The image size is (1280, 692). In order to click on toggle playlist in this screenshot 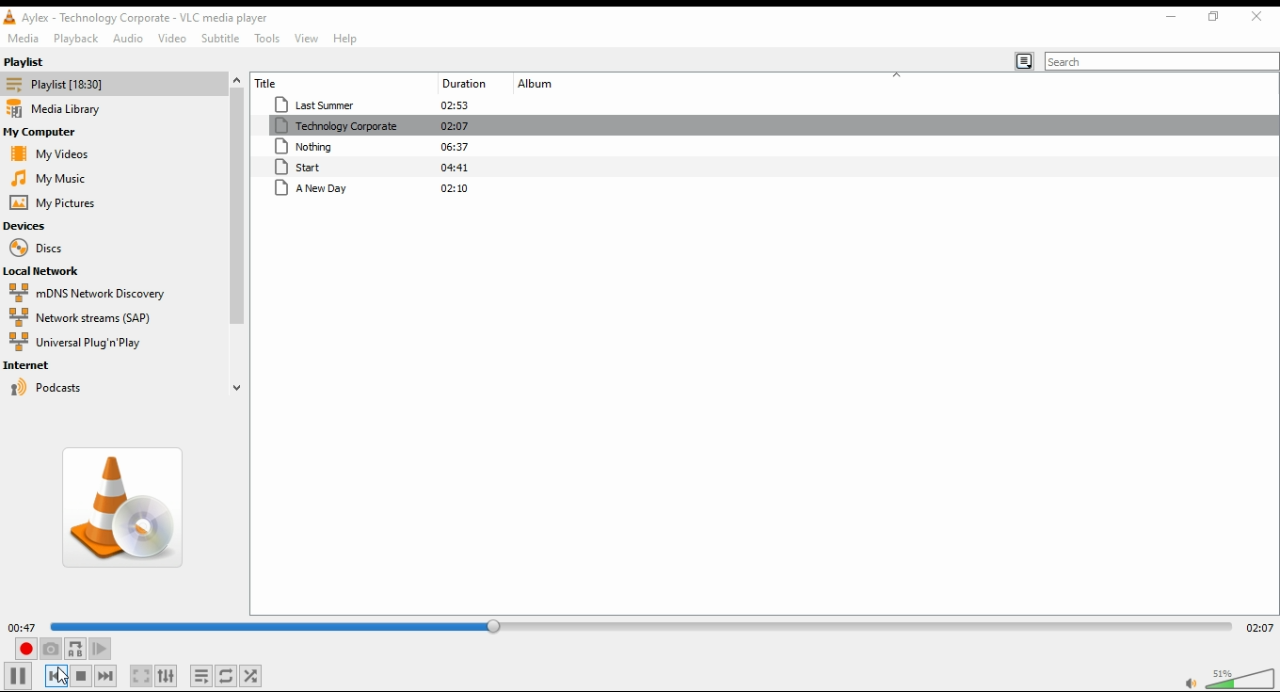, I will do `click(202, 676)`.